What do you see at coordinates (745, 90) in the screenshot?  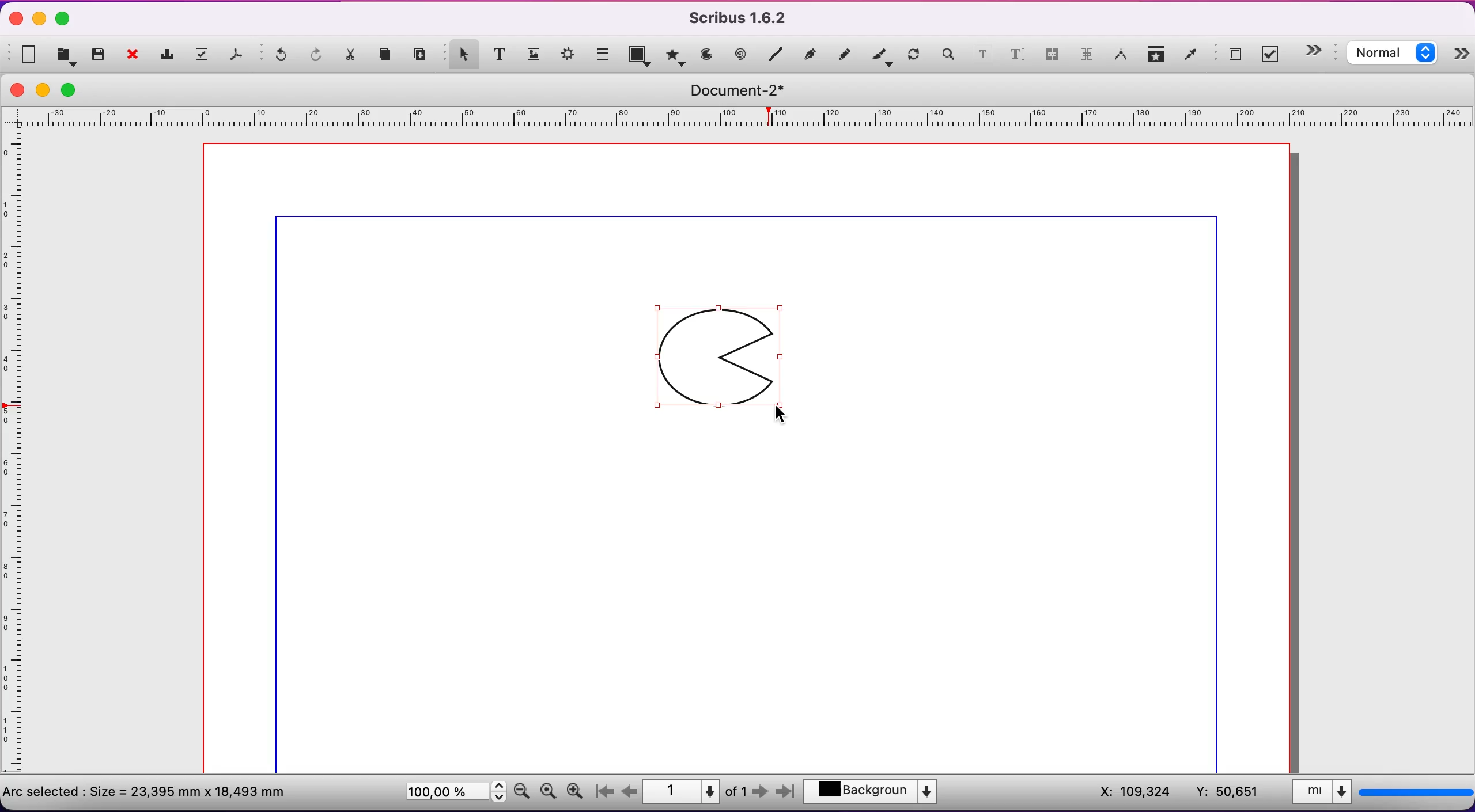 I see `title` at bounding box center [745, 90].